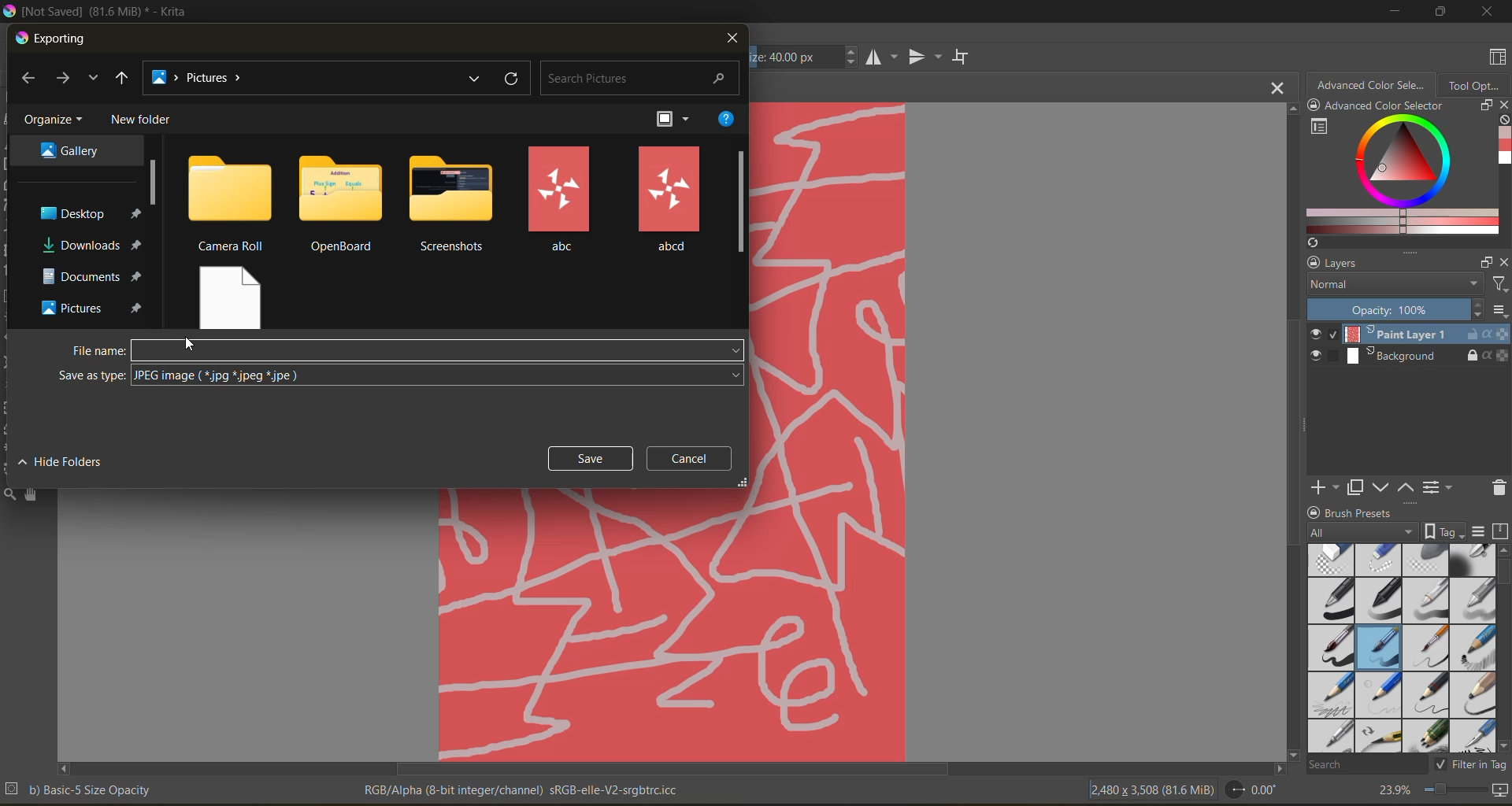 The height and width of the screenshot is (806, 1512). Describe the element at coordinates (1398, 649) in the screenshot. I see `brush presets` at that location.